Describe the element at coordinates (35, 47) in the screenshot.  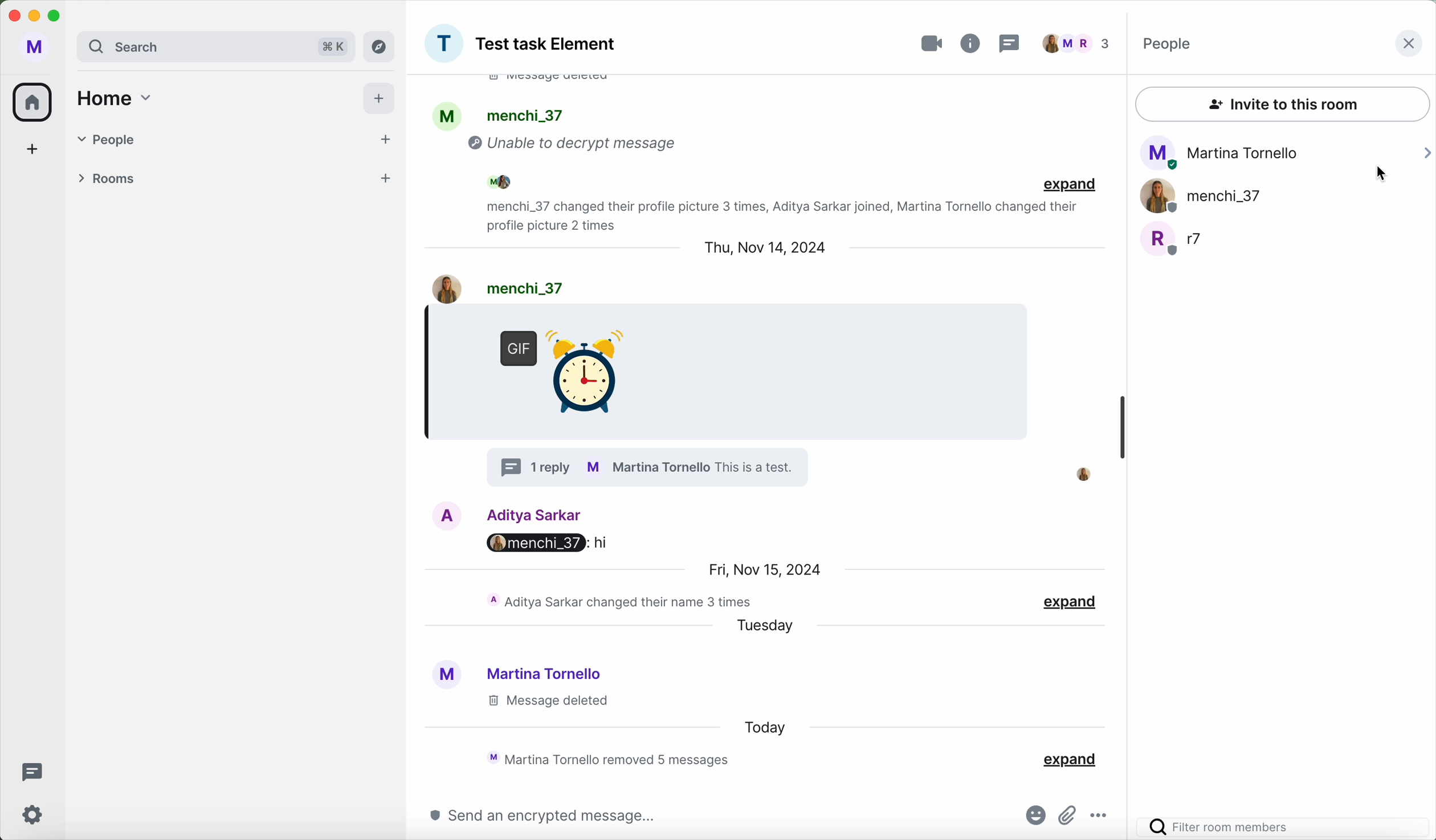
I see `user profile` at that location.